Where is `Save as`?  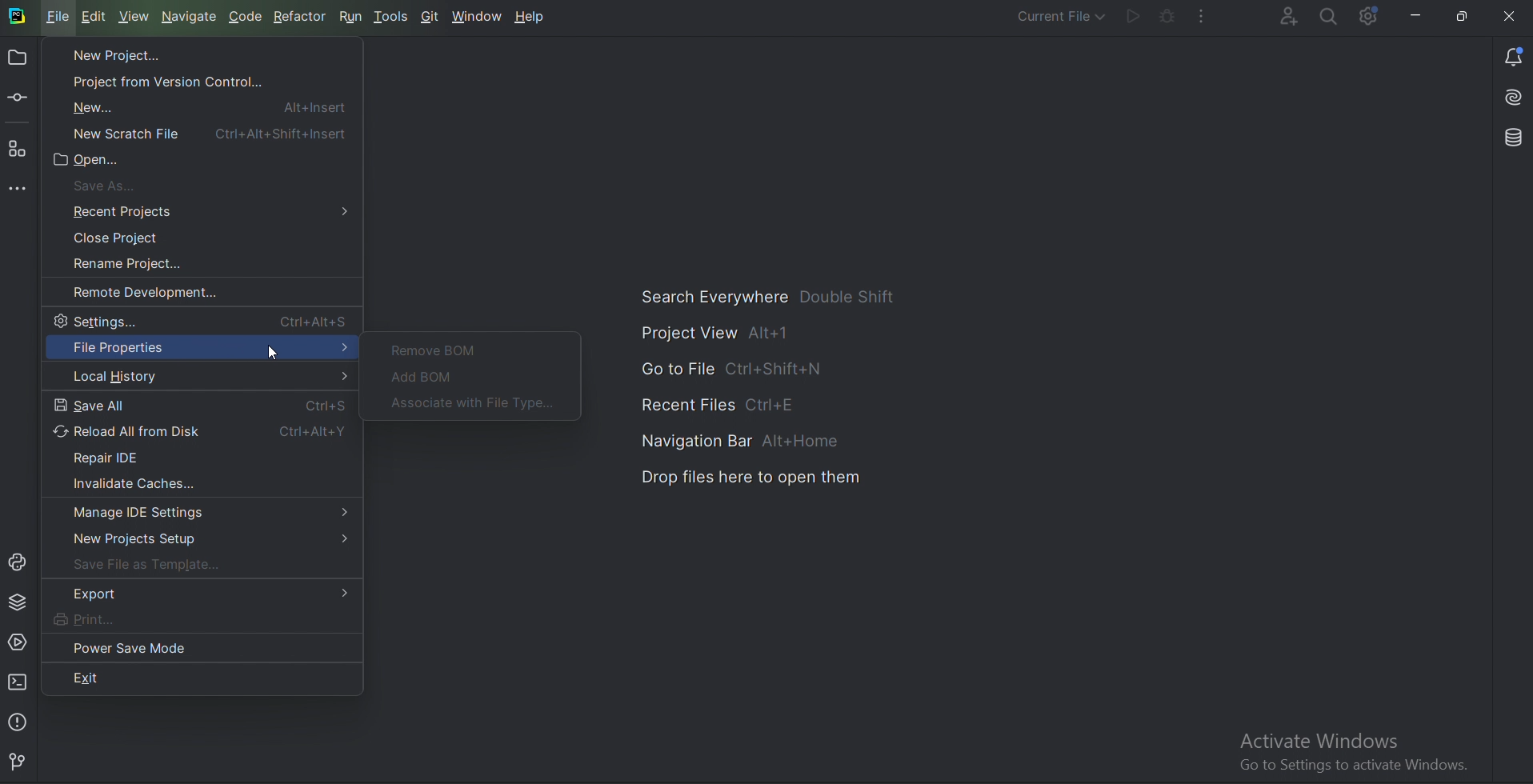 Save as is located at coordinates (120, 184).